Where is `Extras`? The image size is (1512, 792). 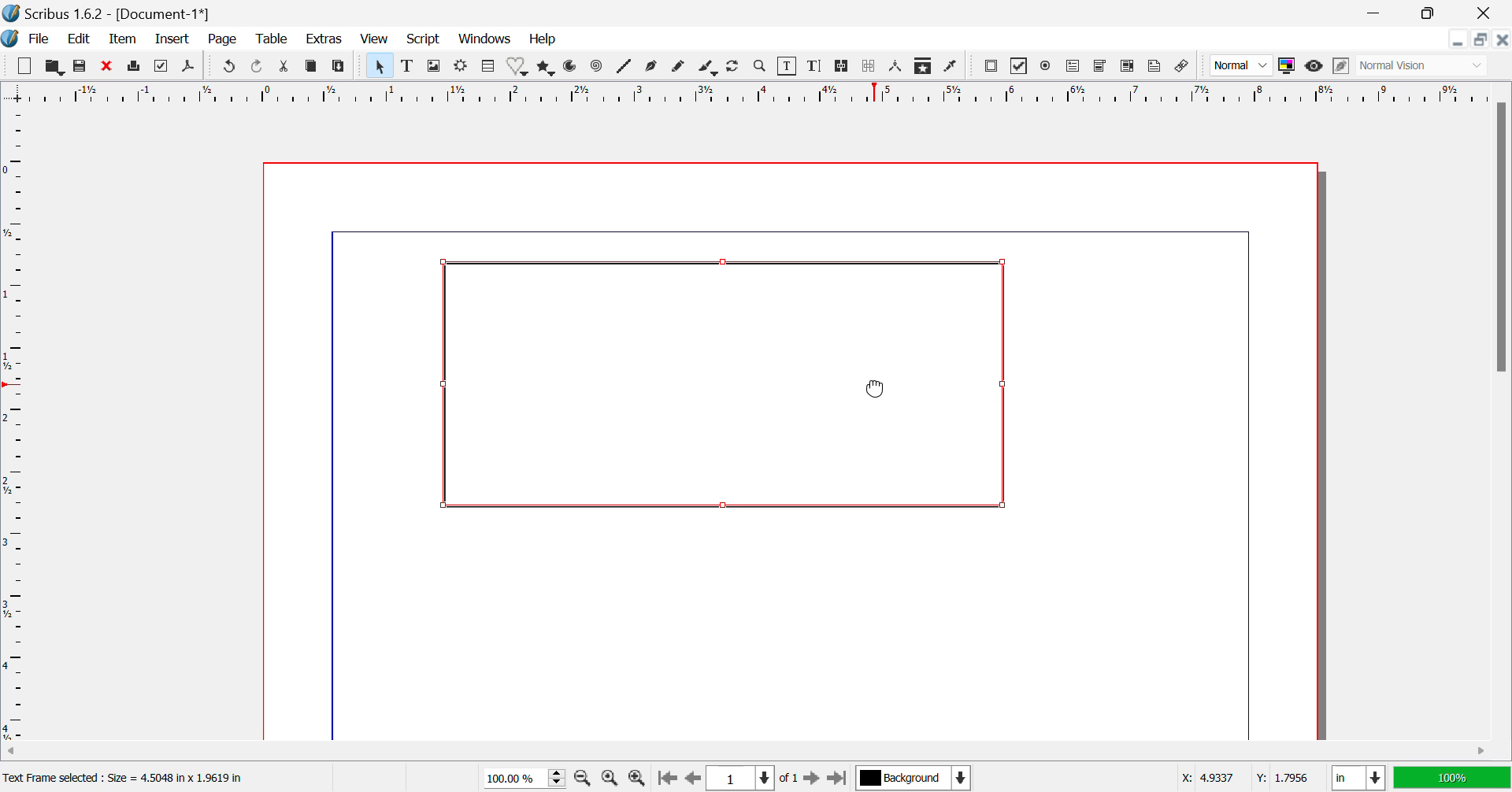 Extras is located at coordinates (323, 39).